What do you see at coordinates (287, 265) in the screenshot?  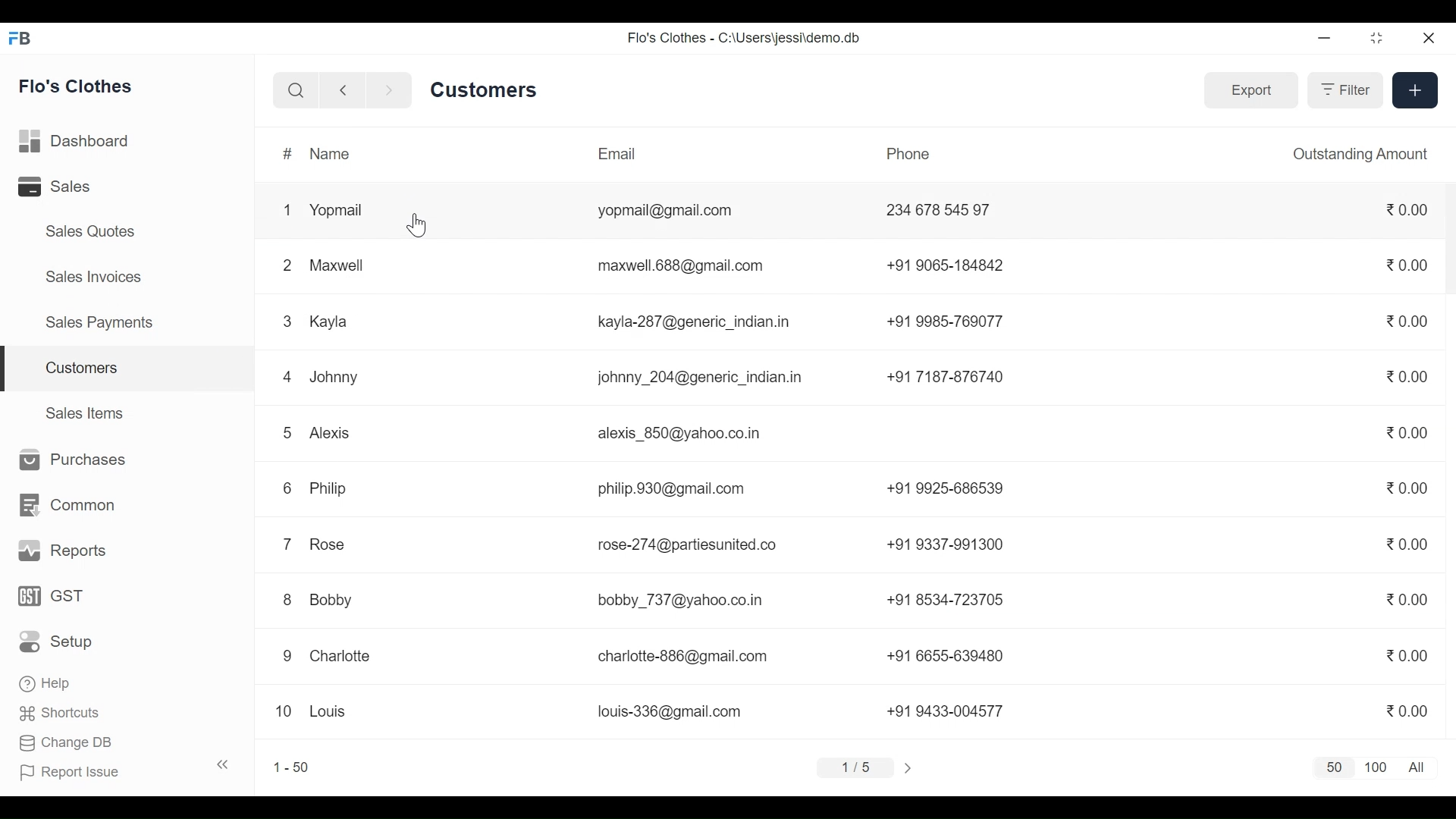 I see `2` at bounding box center [287, 265].